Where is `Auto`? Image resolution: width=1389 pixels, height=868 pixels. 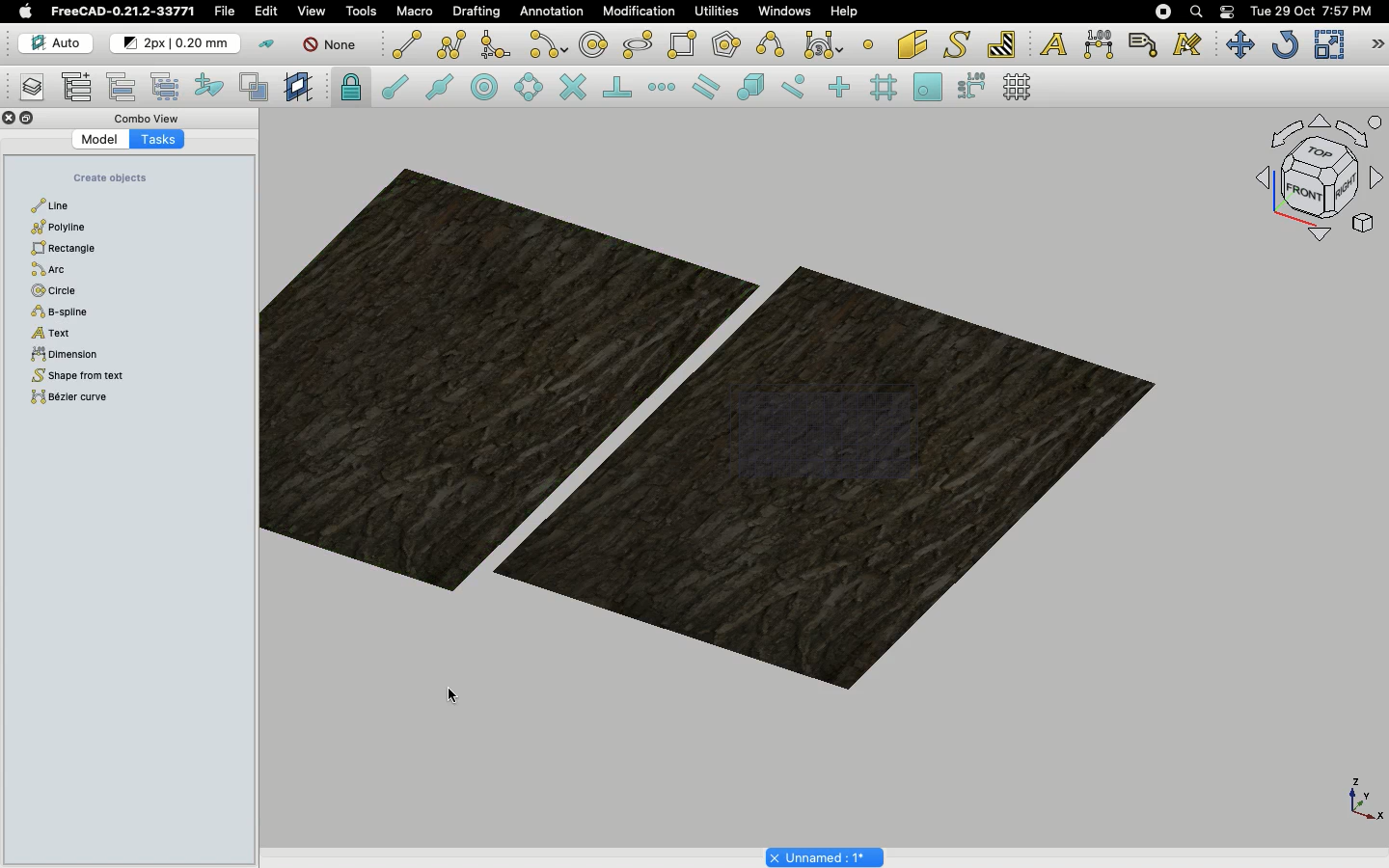
Auto is located at coordinates (57, 43).